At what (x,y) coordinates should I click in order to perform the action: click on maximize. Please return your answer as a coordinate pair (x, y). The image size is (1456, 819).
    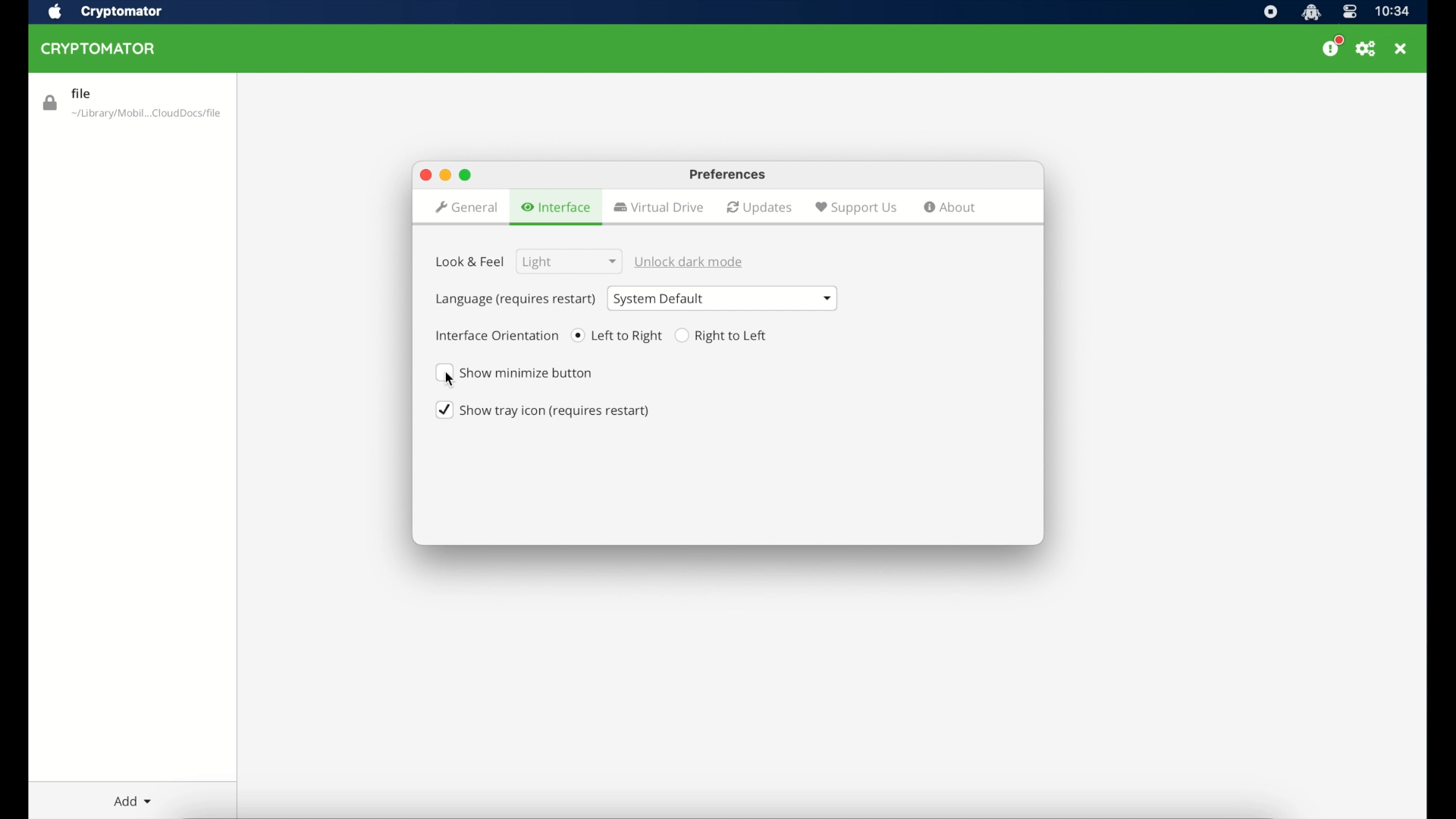
    Looking at the image, I should click on (466, 175).